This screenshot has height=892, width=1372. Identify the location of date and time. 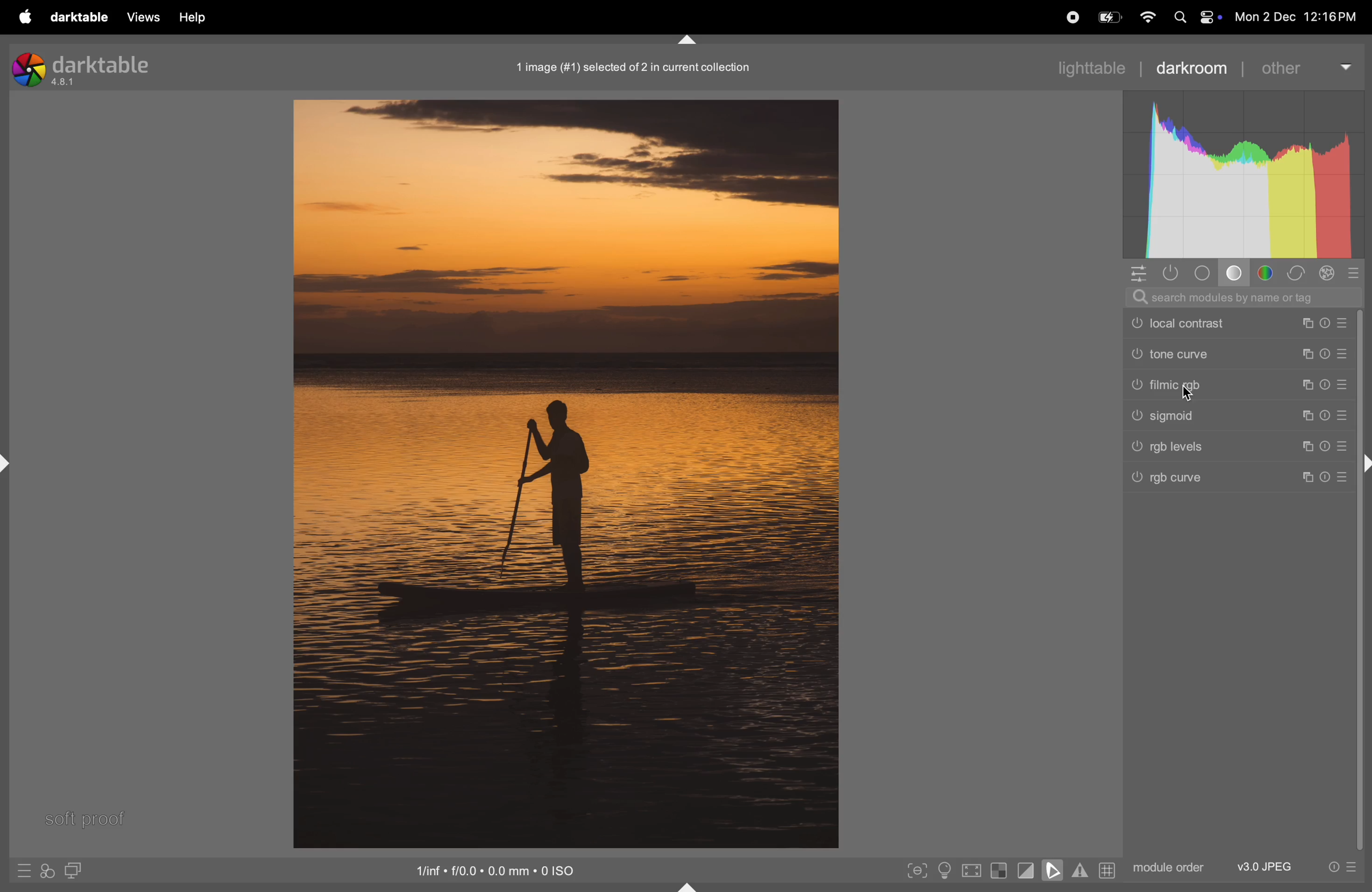
(1301, 18).